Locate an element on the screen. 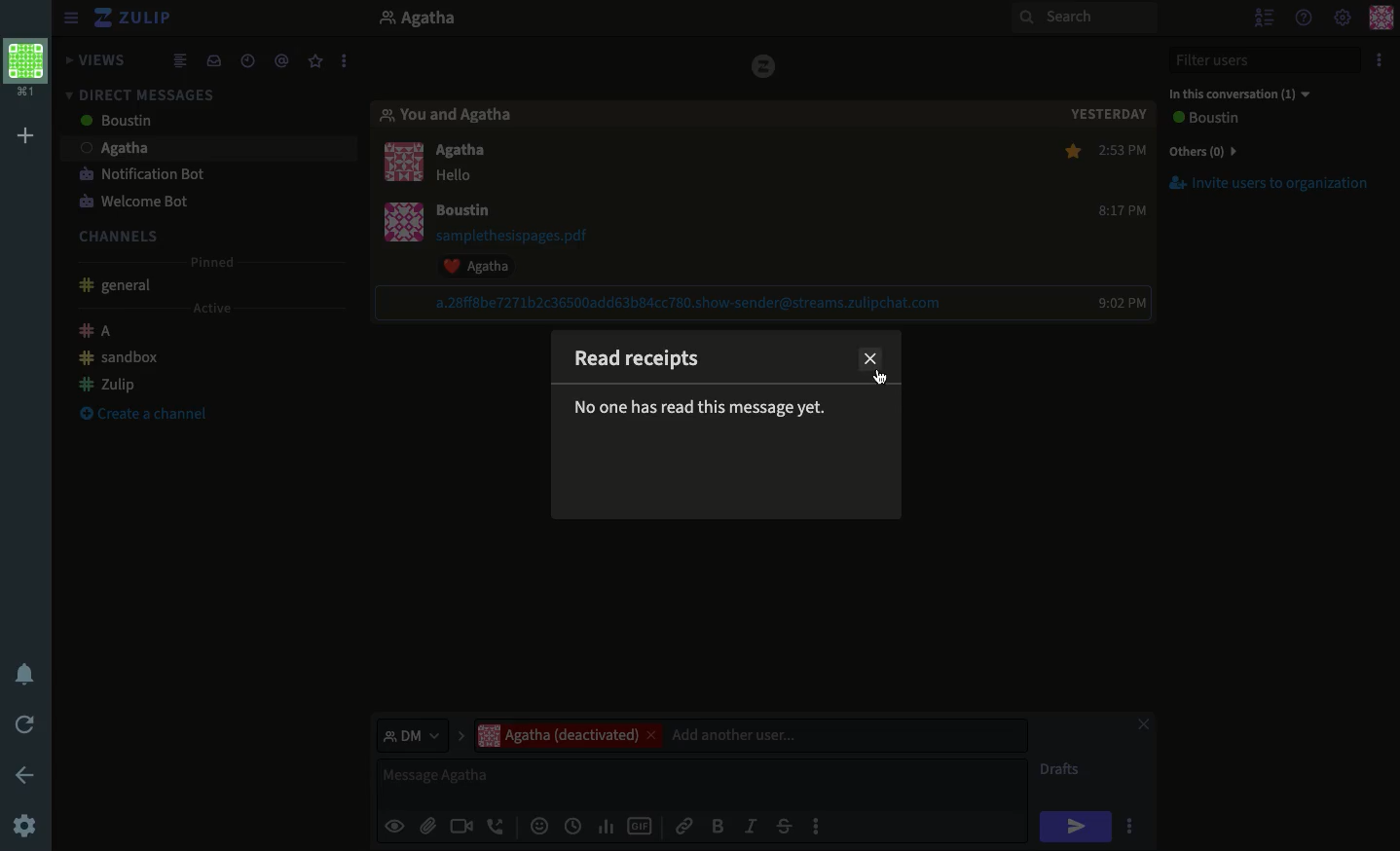 The image size is (1400, 851). In this conversation is located at coordinates (1239, 94).